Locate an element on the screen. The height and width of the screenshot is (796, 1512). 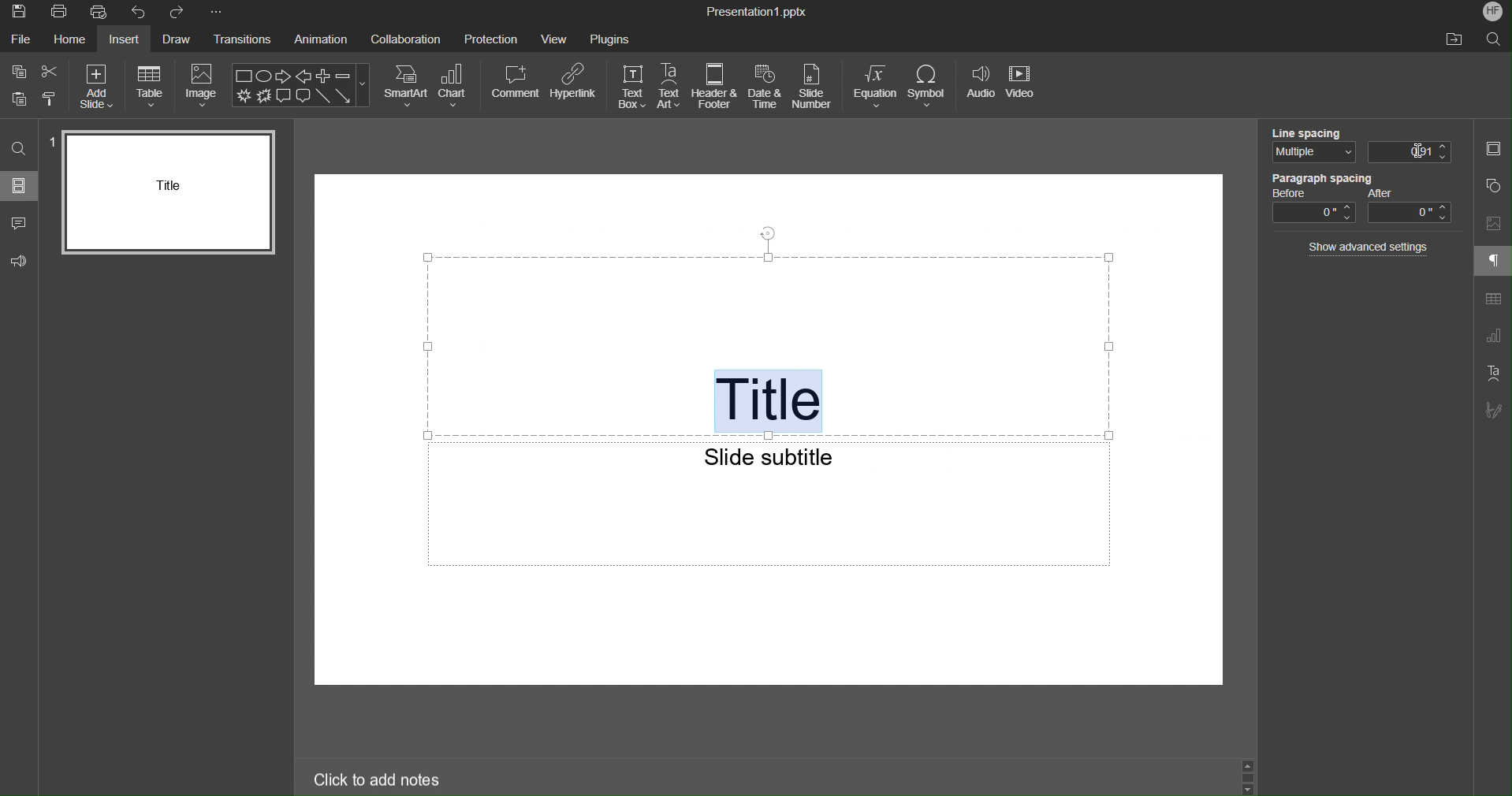
TextArt is located at coordinates (671, 87).